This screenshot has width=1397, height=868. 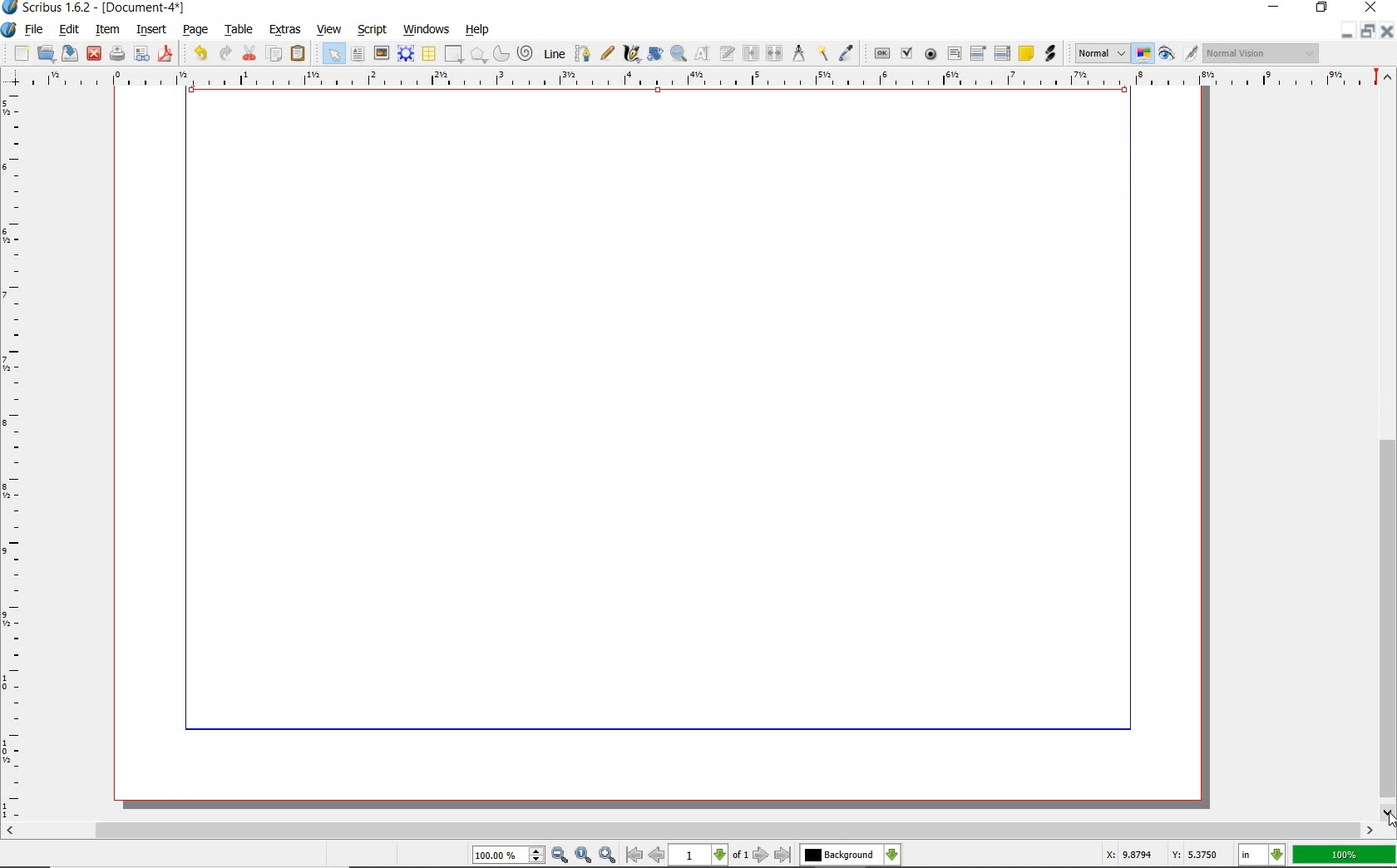 What do you see at coordinates (16, 53) in the screenshot?
I see `new` at bounding box center [16, 53].